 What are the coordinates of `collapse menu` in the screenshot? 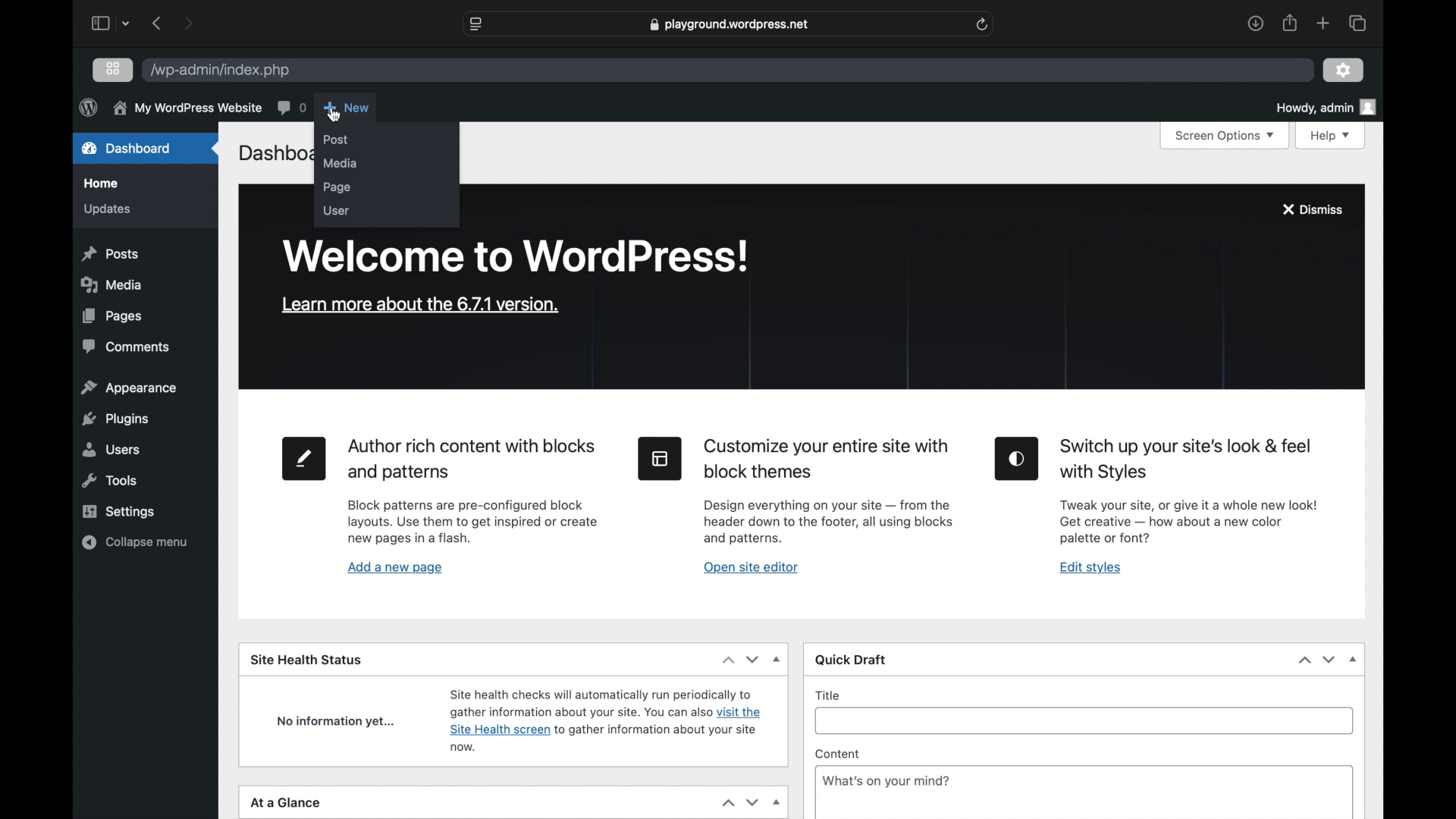 It's located at (136, 543).